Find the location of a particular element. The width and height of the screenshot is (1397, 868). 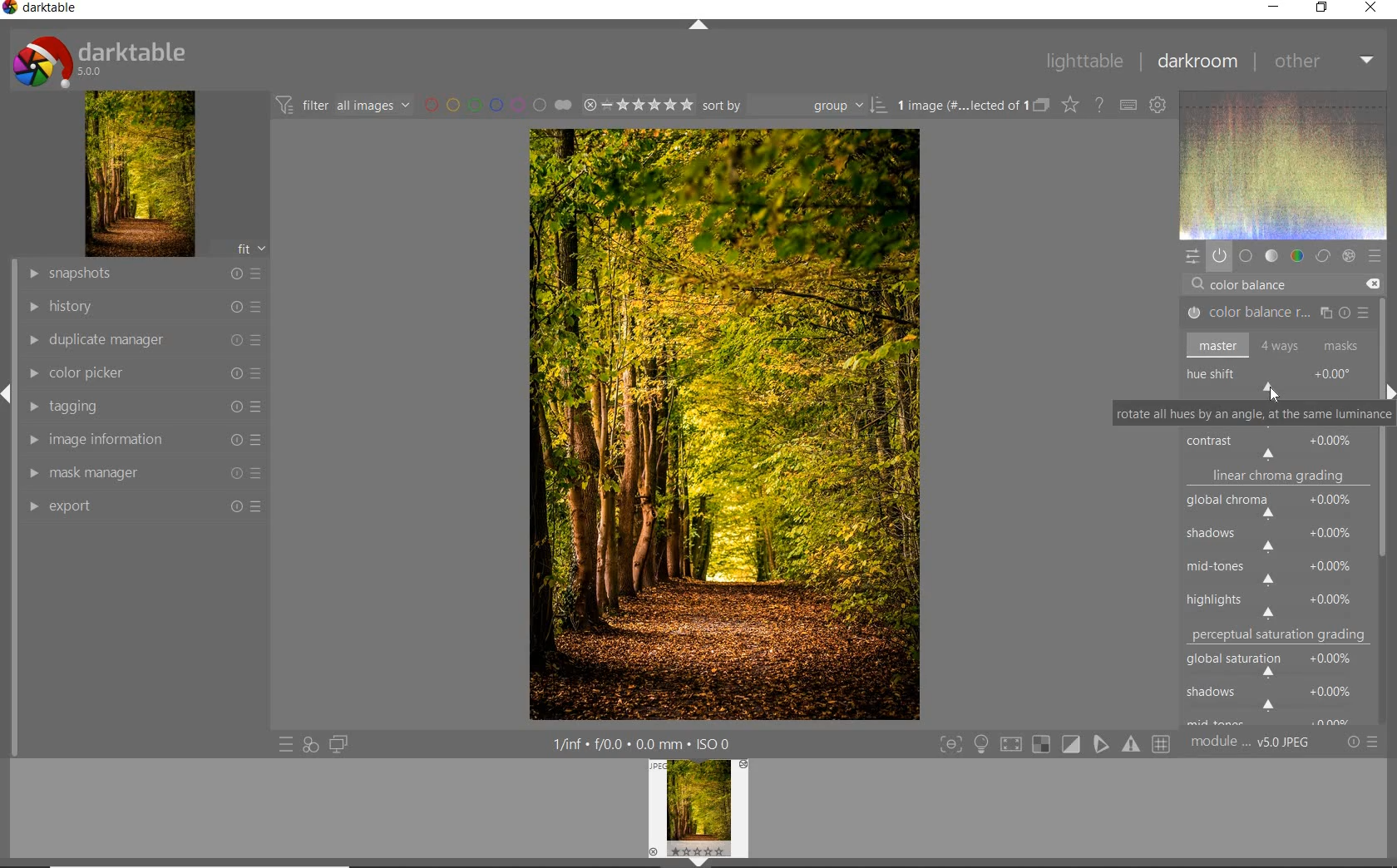

other interface detail is located at coordinates (644, 744).